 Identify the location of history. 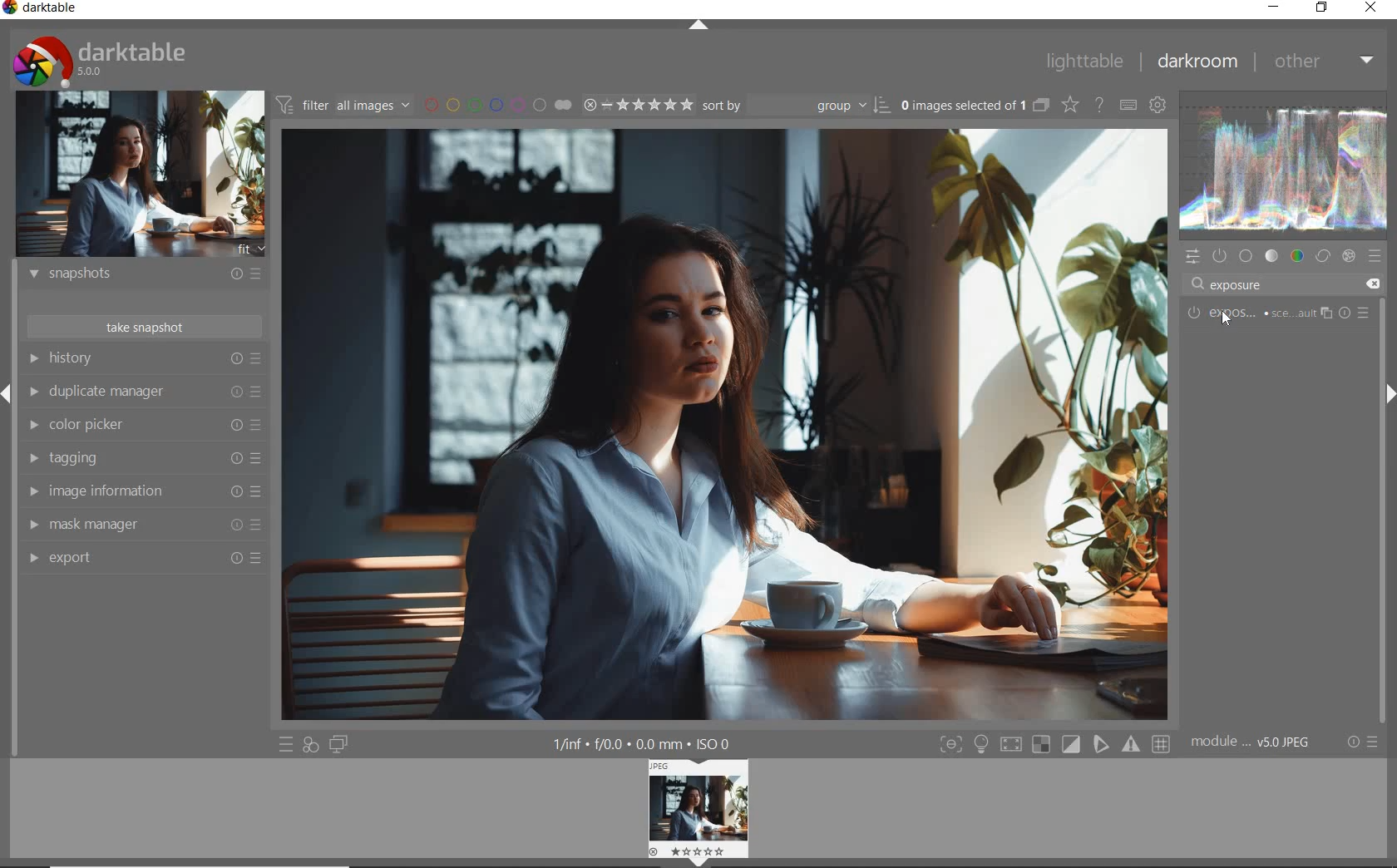
(142, 358).